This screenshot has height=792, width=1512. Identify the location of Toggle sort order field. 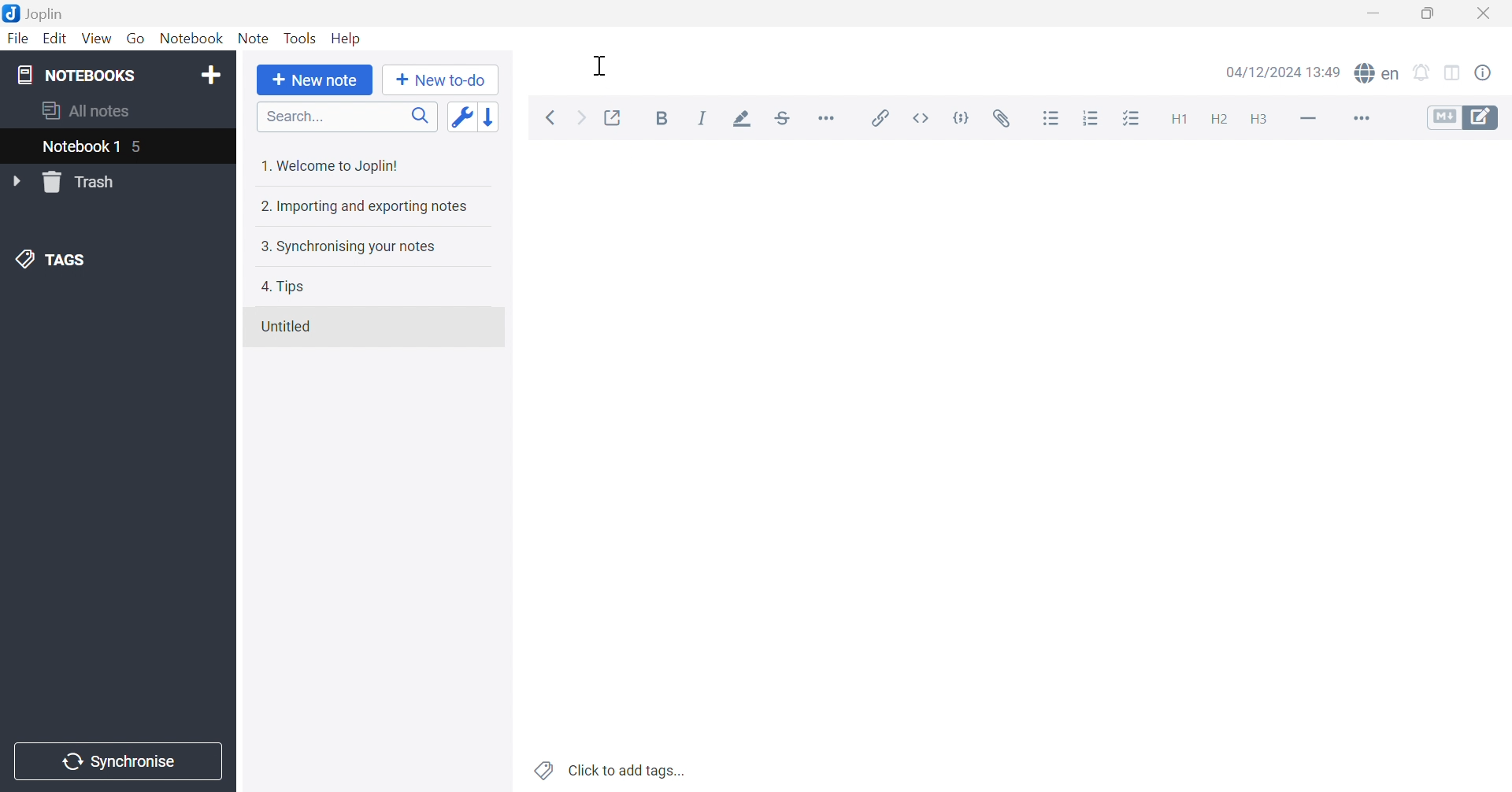
(461, 117).